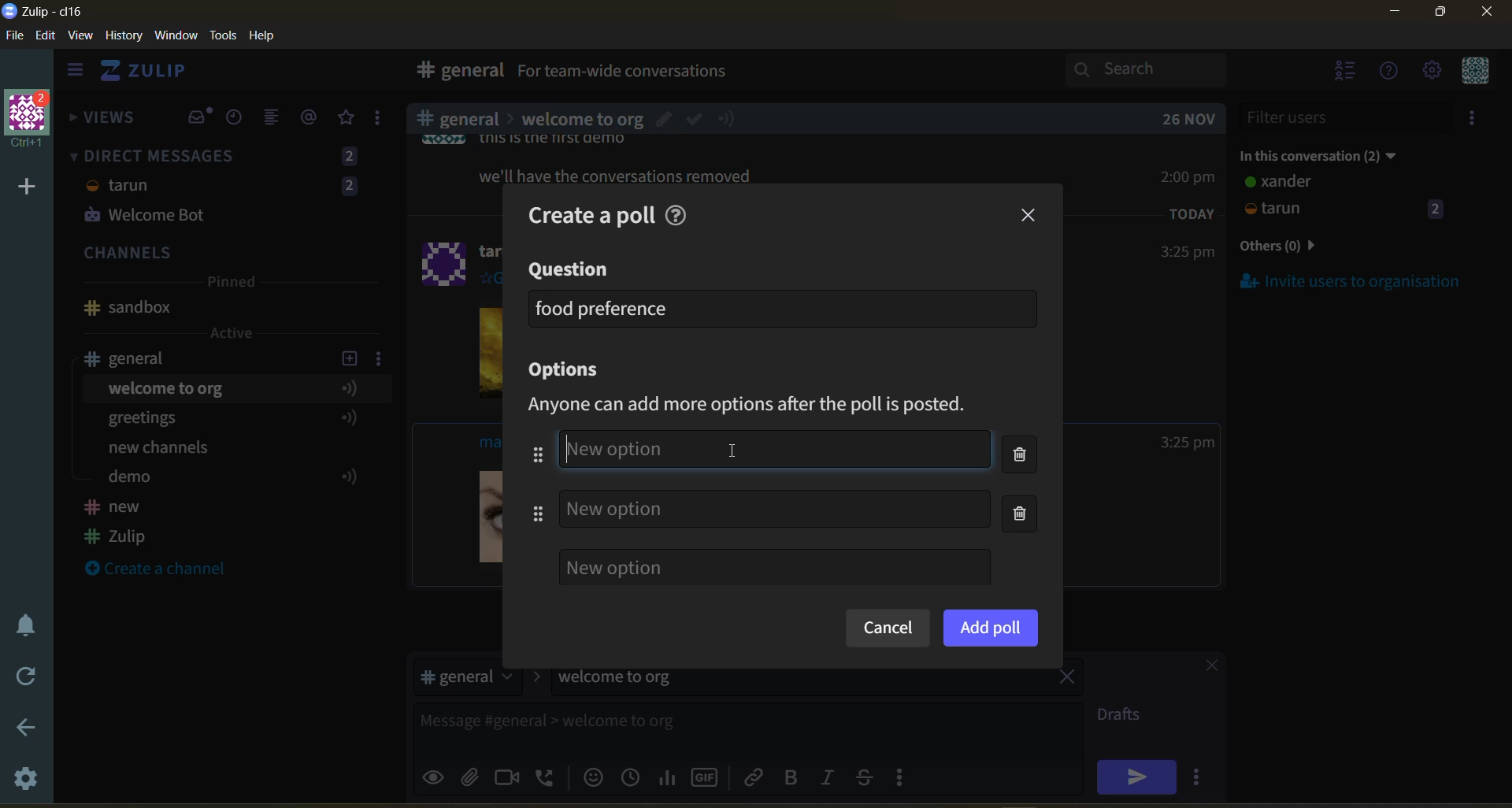  What do you see at coordinates (1473, 72) in the screenshot?
I see `personal menu` at bounding box center [1473, 72].